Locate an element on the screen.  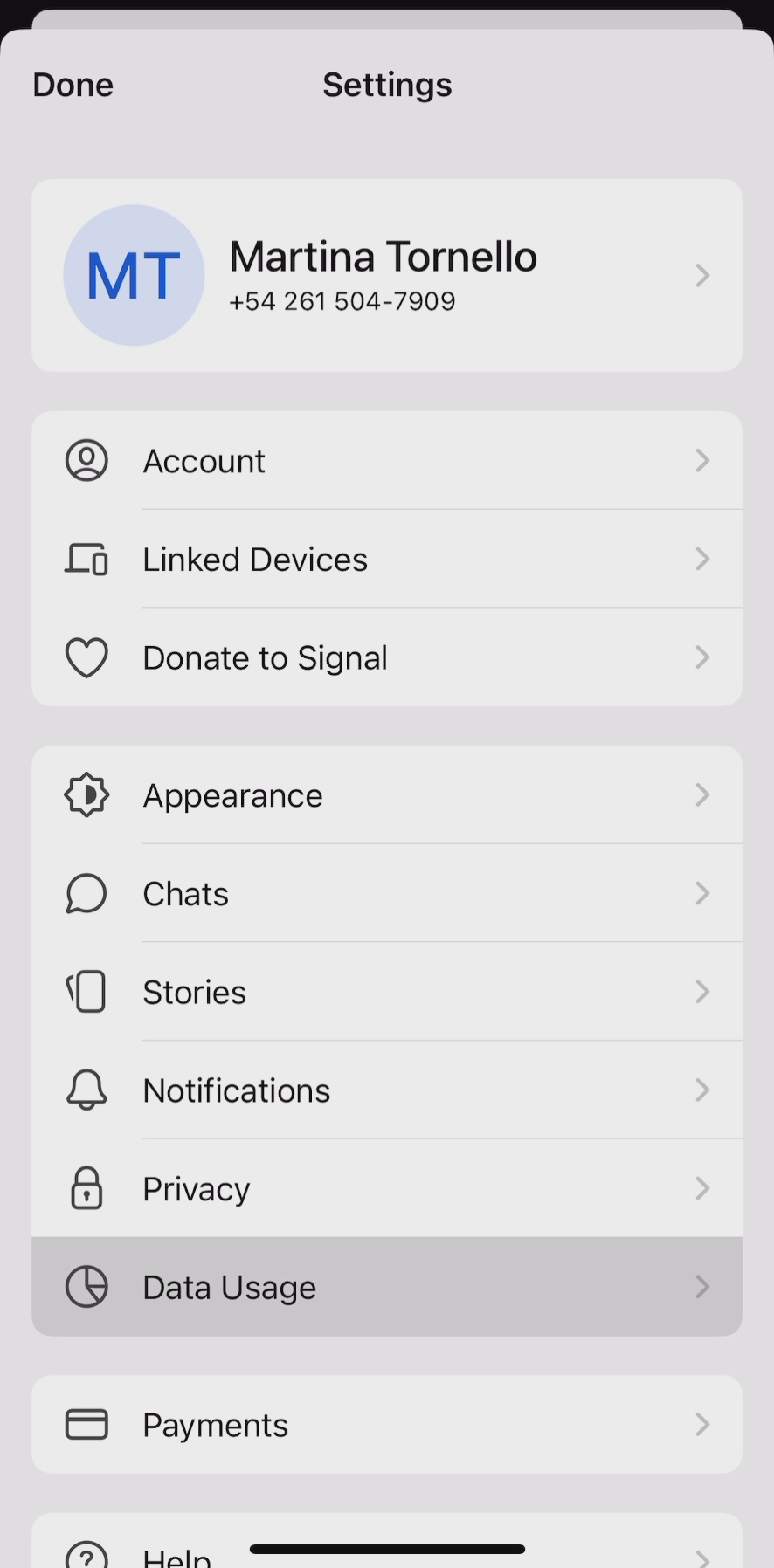
notifications is located at coordinates (386, 1092).